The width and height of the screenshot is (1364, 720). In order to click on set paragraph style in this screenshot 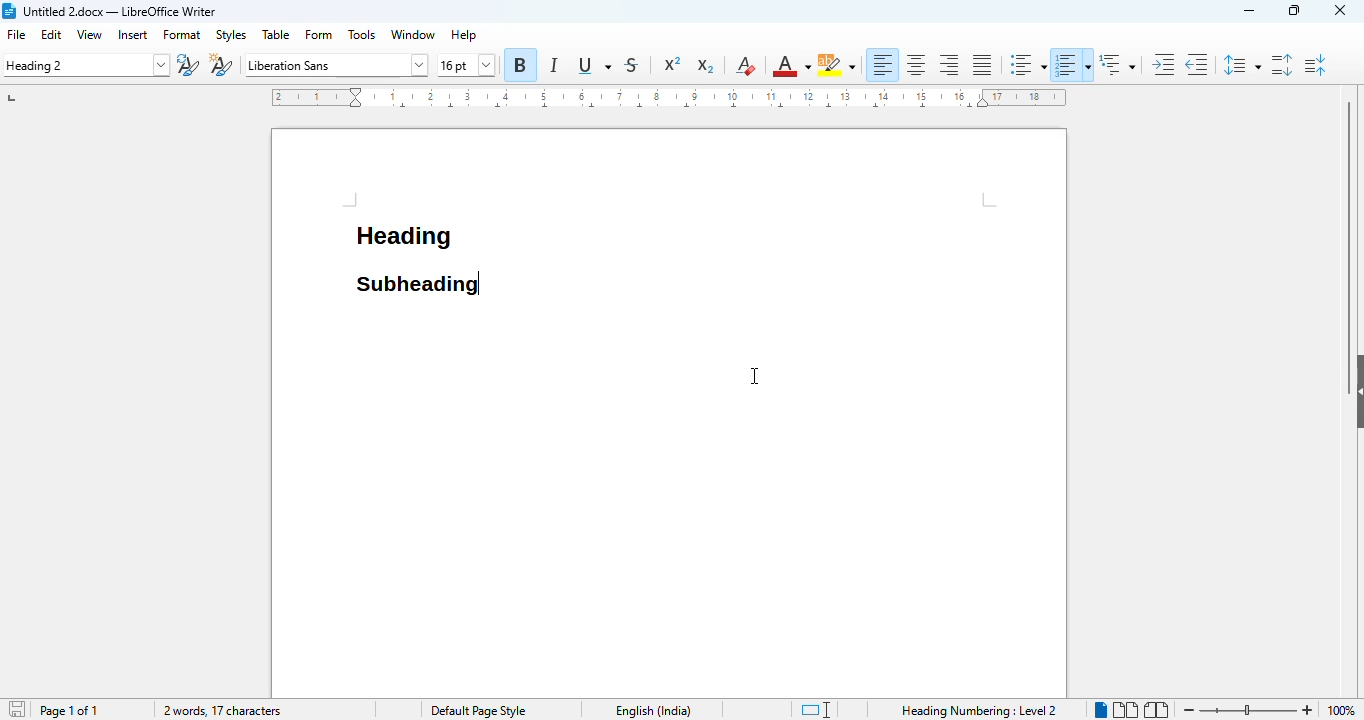, I will do `click(86, 66)`.